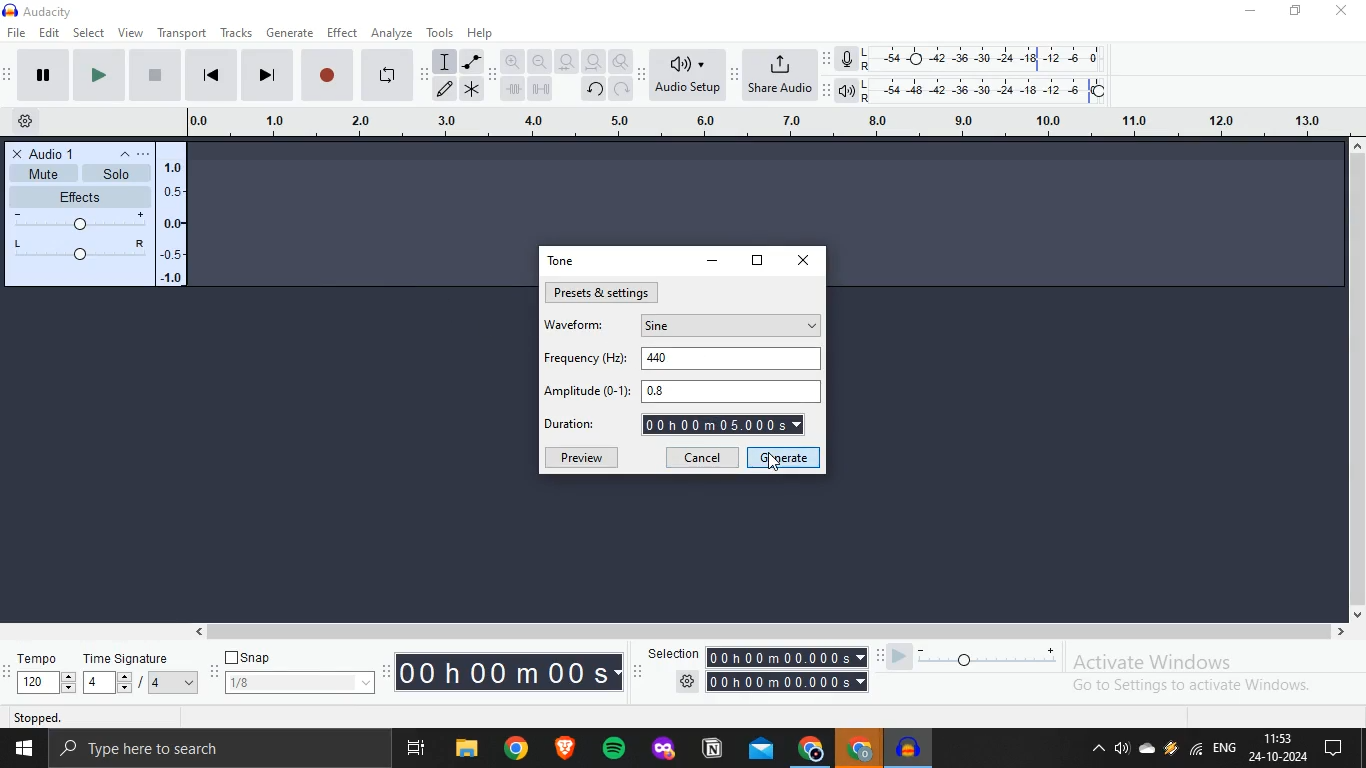 The width and height of the screenshot is (1366, 768). Describe the element at coordinates (618, 750) in the screenshot. I see `Spotify` at that location.